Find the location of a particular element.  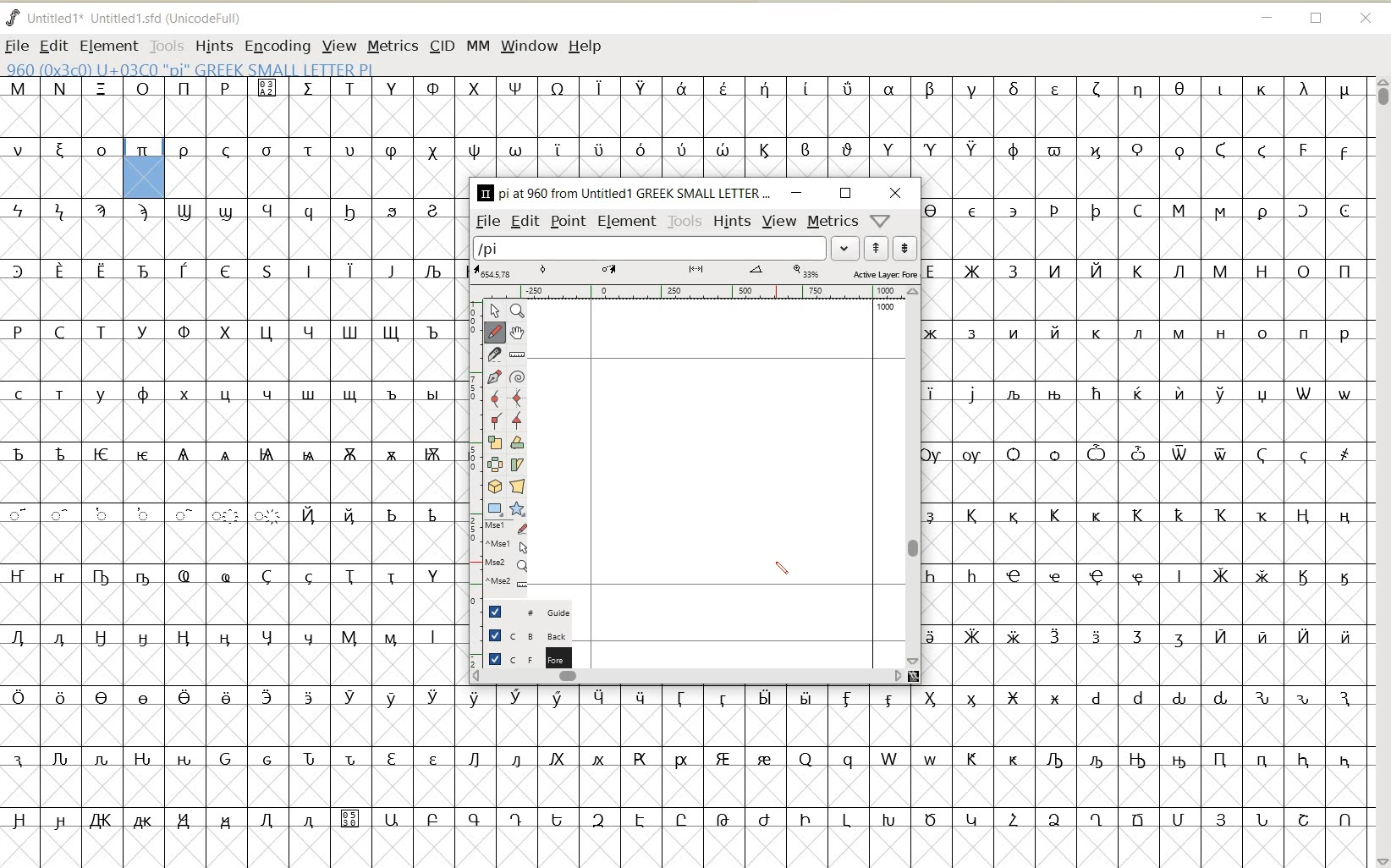

add a point, then drag out its control points is located at coordinates (494, 375).